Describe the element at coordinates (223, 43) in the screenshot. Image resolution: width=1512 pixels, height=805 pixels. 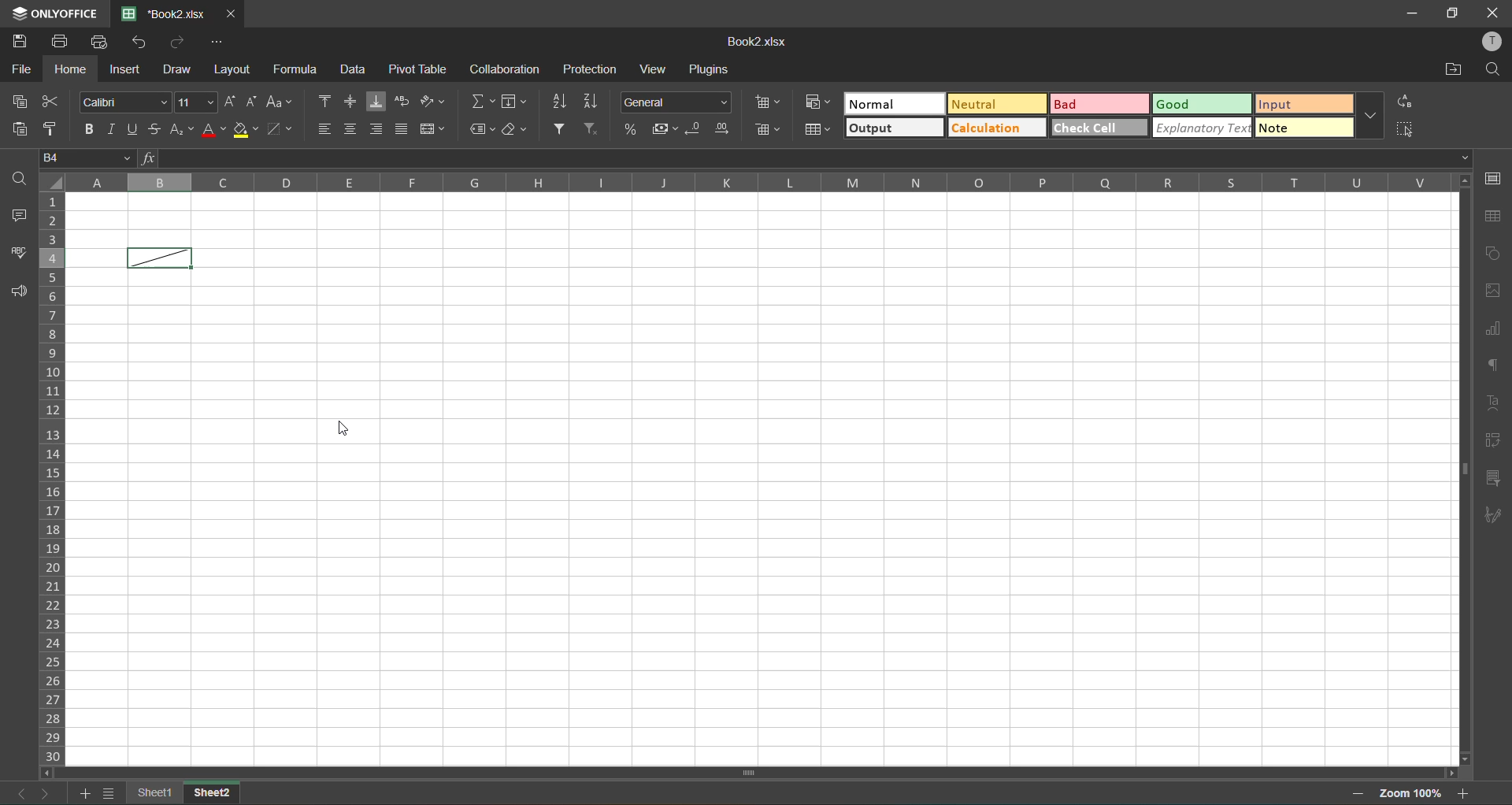
I see `customize quick access toolbar` at that location.